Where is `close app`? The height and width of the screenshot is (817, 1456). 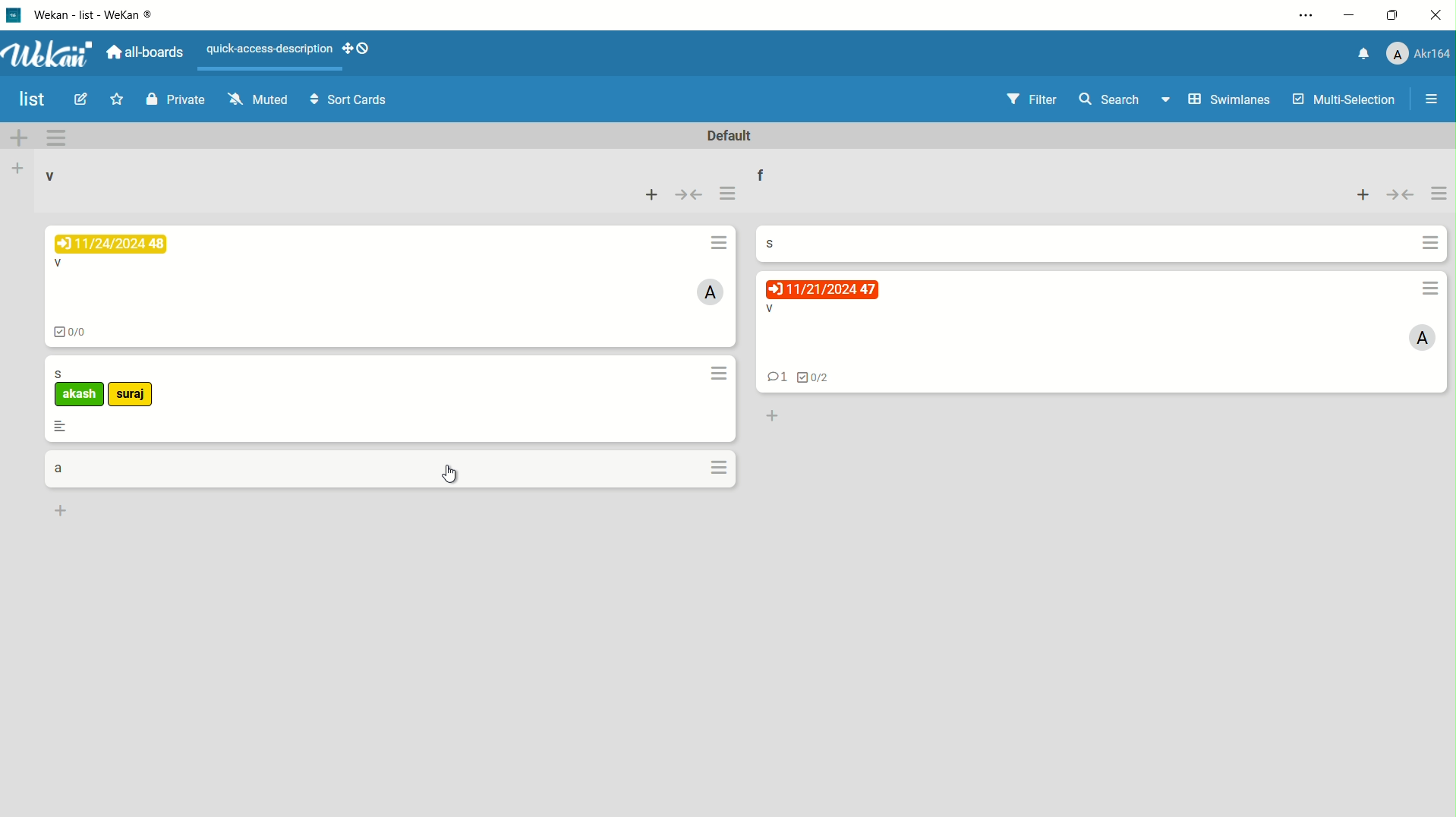
close app is located at coordinates (1437, 18).